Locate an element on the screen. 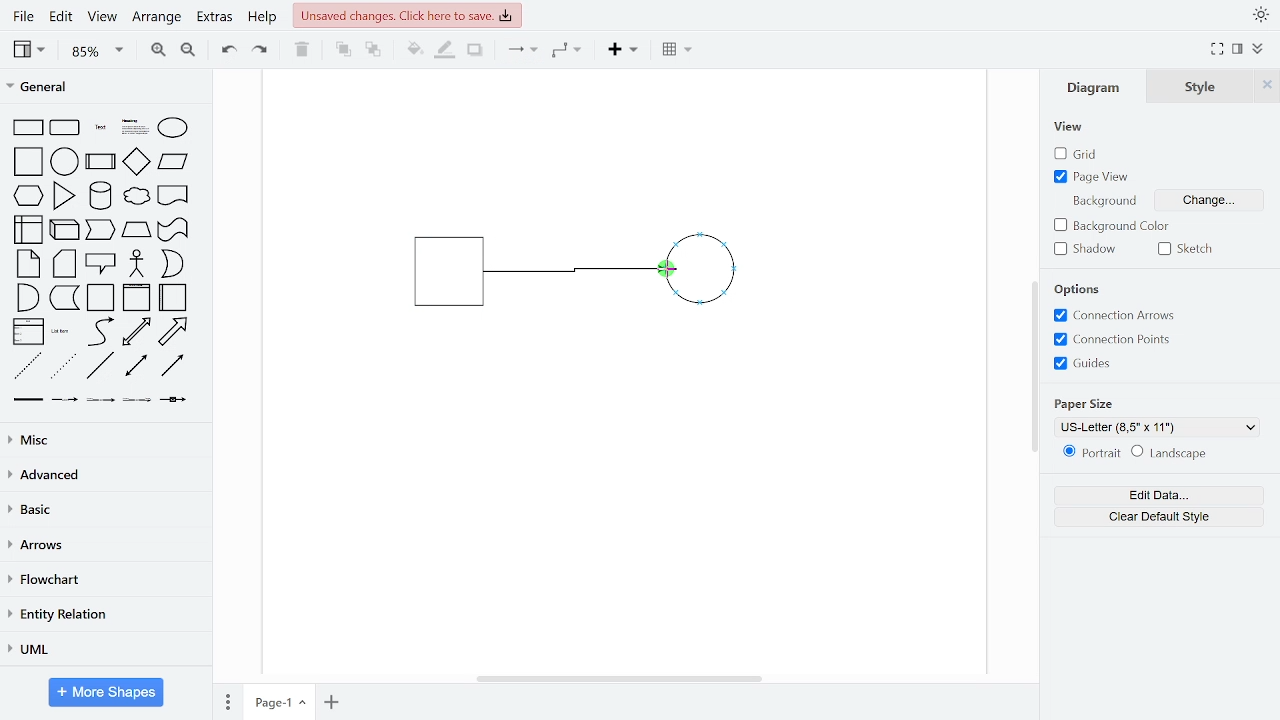 This screenshot has width=1280, height=720. cylinder is located at coordinates (102, 197).